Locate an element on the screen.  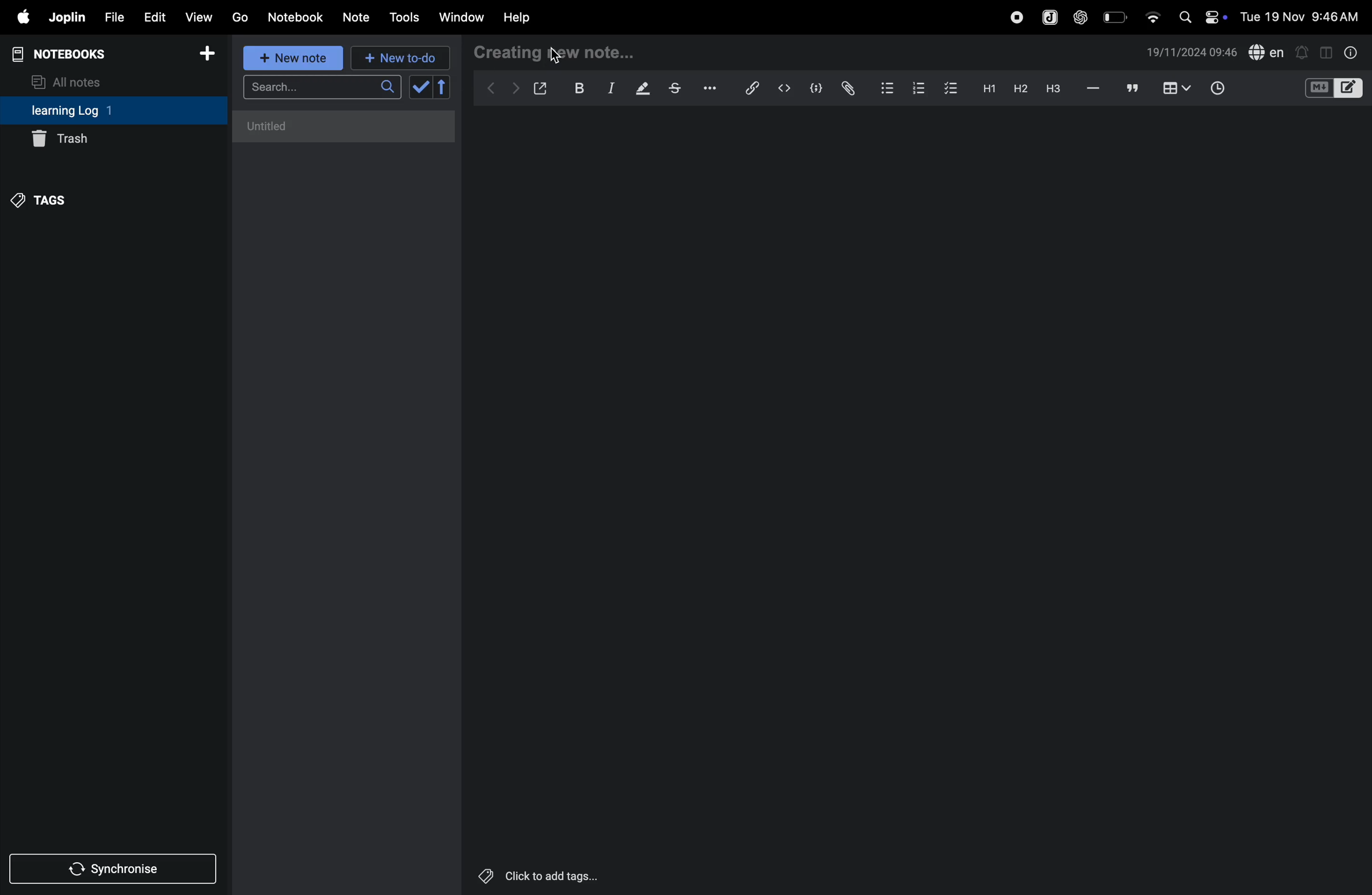
check box is located at coordinates (432, 87).